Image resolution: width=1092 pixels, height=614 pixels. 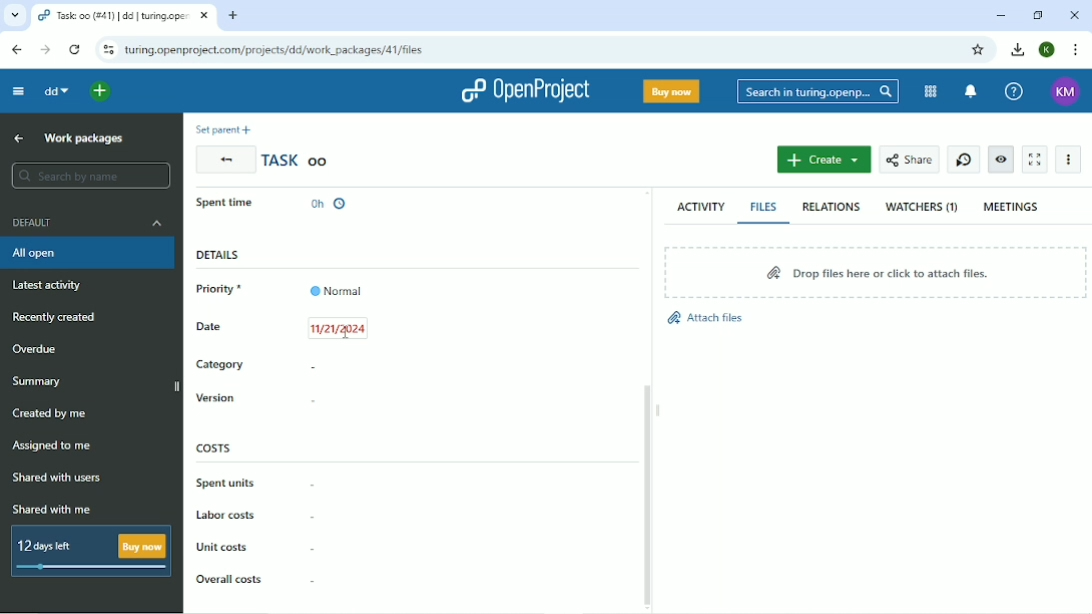 I want to click on Site, so click(x=276, y=50).